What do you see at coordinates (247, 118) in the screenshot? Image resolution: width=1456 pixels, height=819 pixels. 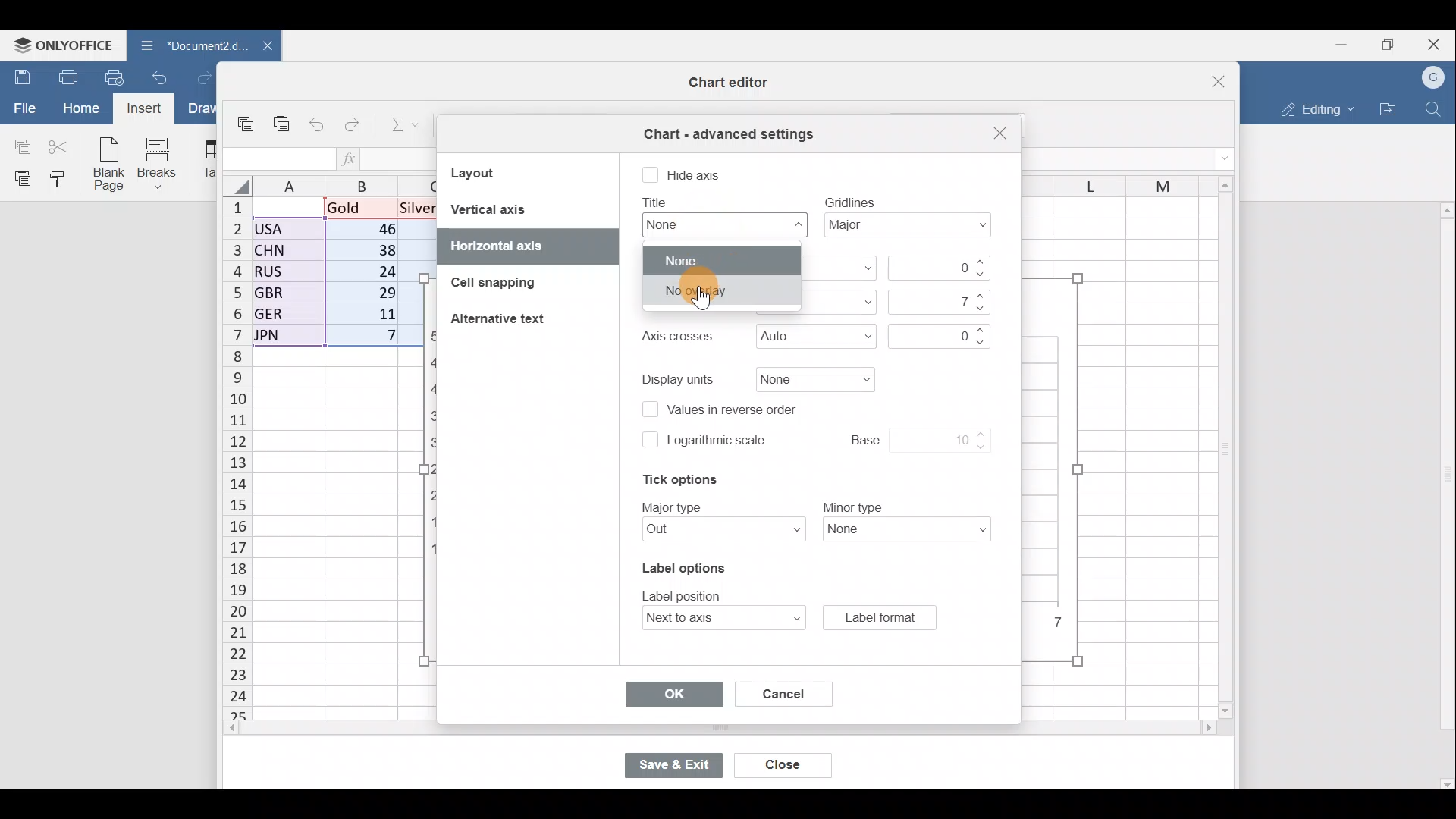 I see `Copy` at bounding box center [247, 118].